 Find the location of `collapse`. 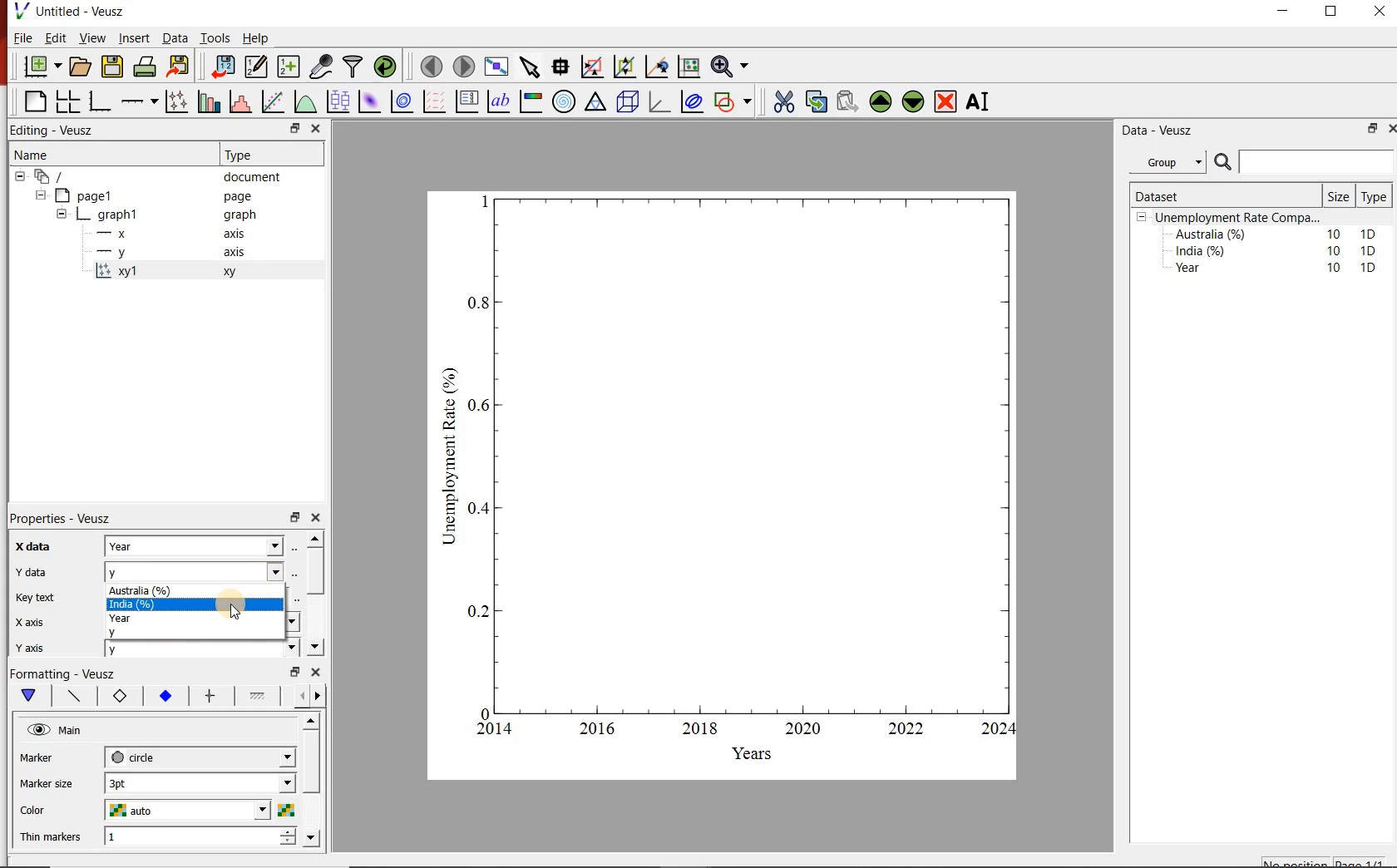

collapse is located at coordinates (40, 195).